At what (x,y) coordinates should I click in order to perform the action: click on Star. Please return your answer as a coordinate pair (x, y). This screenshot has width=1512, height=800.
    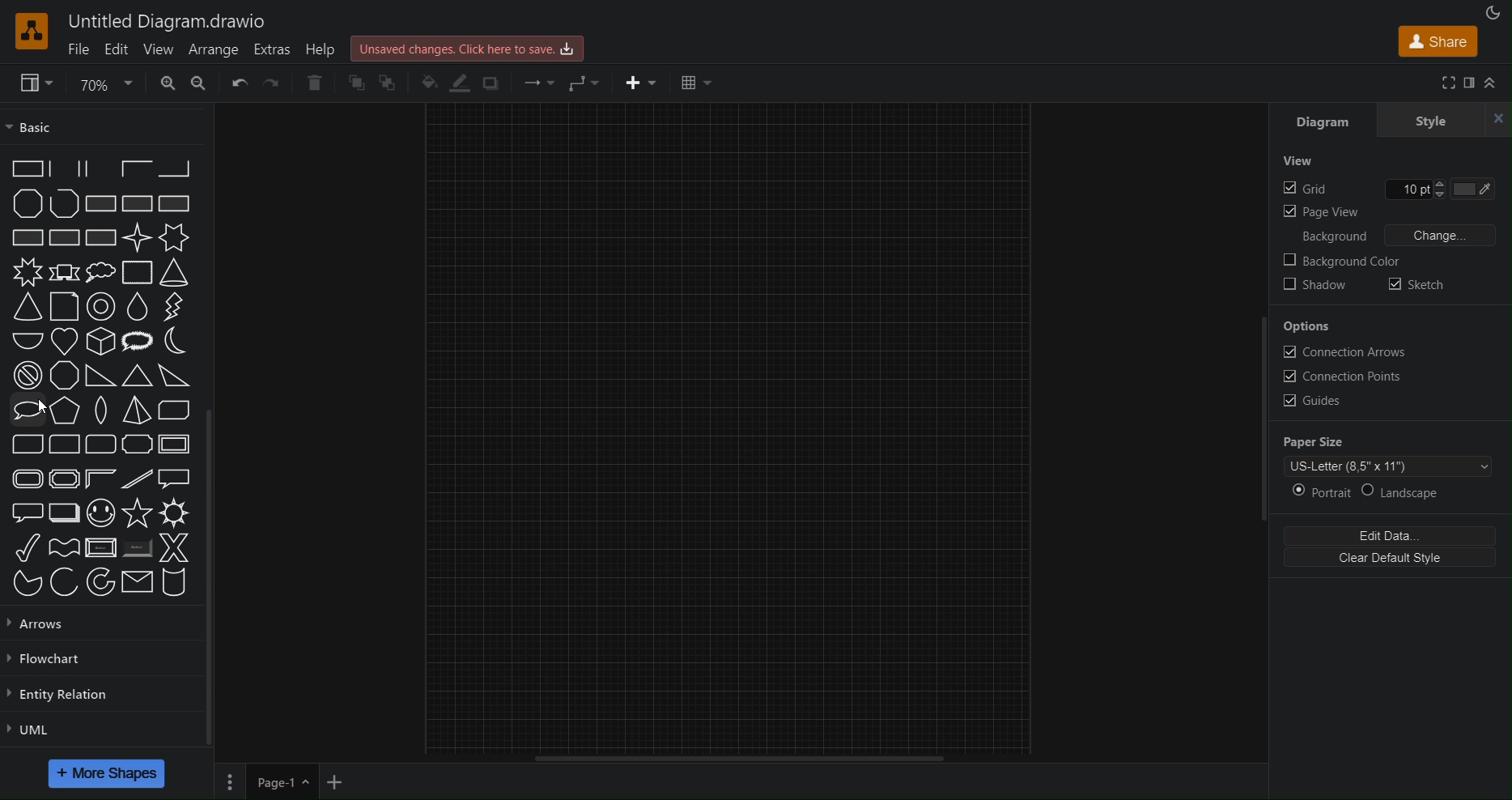
    Looking at the image, I should click on (138, 514).